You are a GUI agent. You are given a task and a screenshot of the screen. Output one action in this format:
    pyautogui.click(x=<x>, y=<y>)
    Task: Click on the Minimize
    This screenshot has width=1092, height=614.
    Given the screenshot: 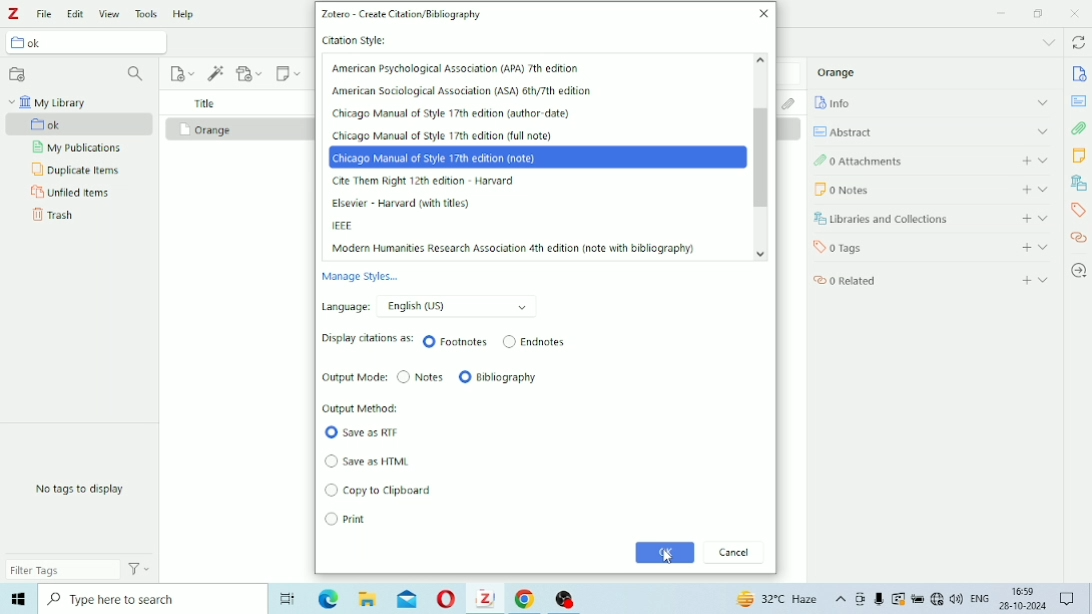 What is the action you would take?
    pyautogui.click(x=1001, y=13)
    